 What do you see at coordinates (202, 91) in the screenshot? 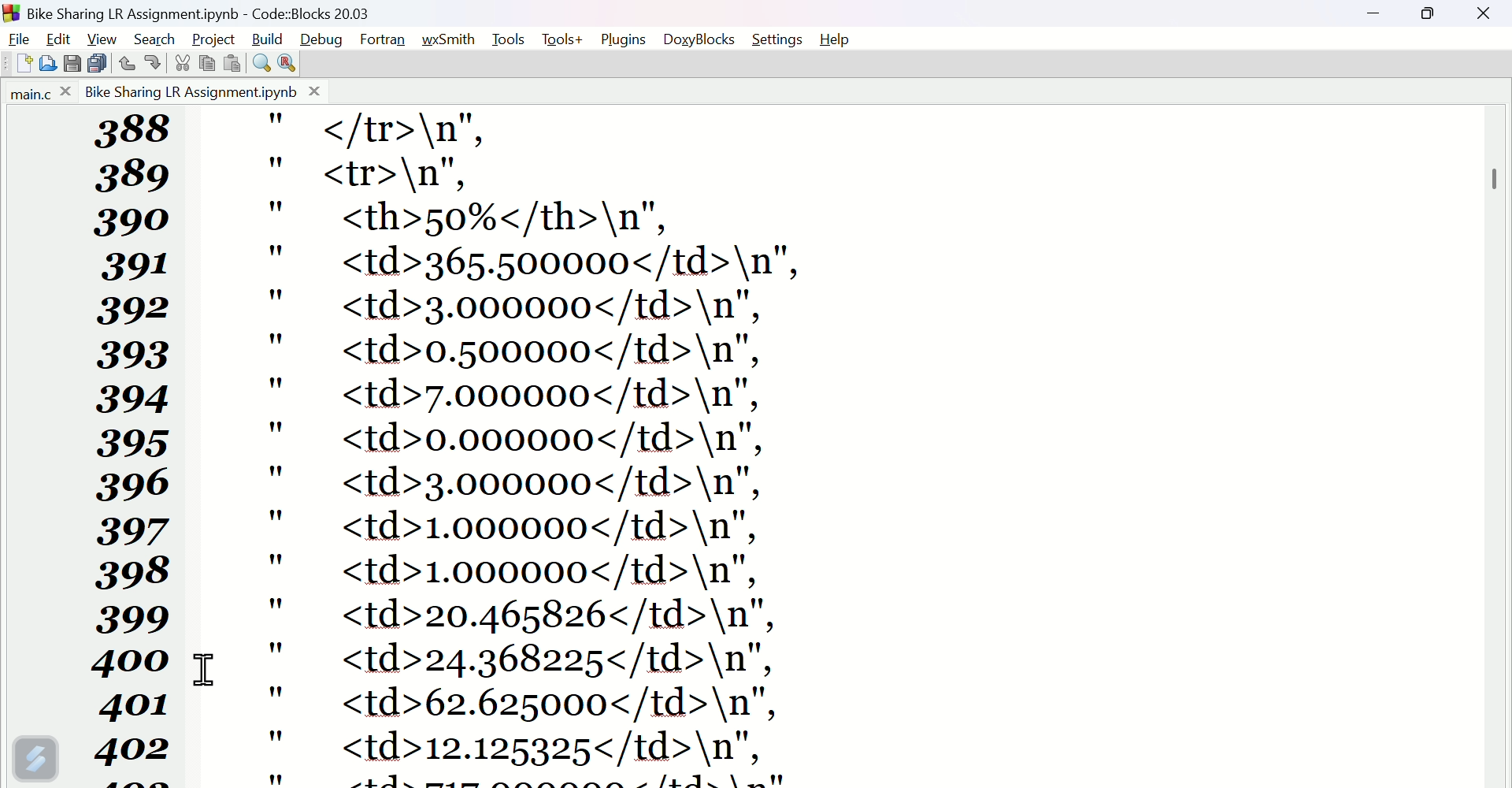
I see `Bike sharing LR assignment.Ipynb` at bounding box center [202, 91].